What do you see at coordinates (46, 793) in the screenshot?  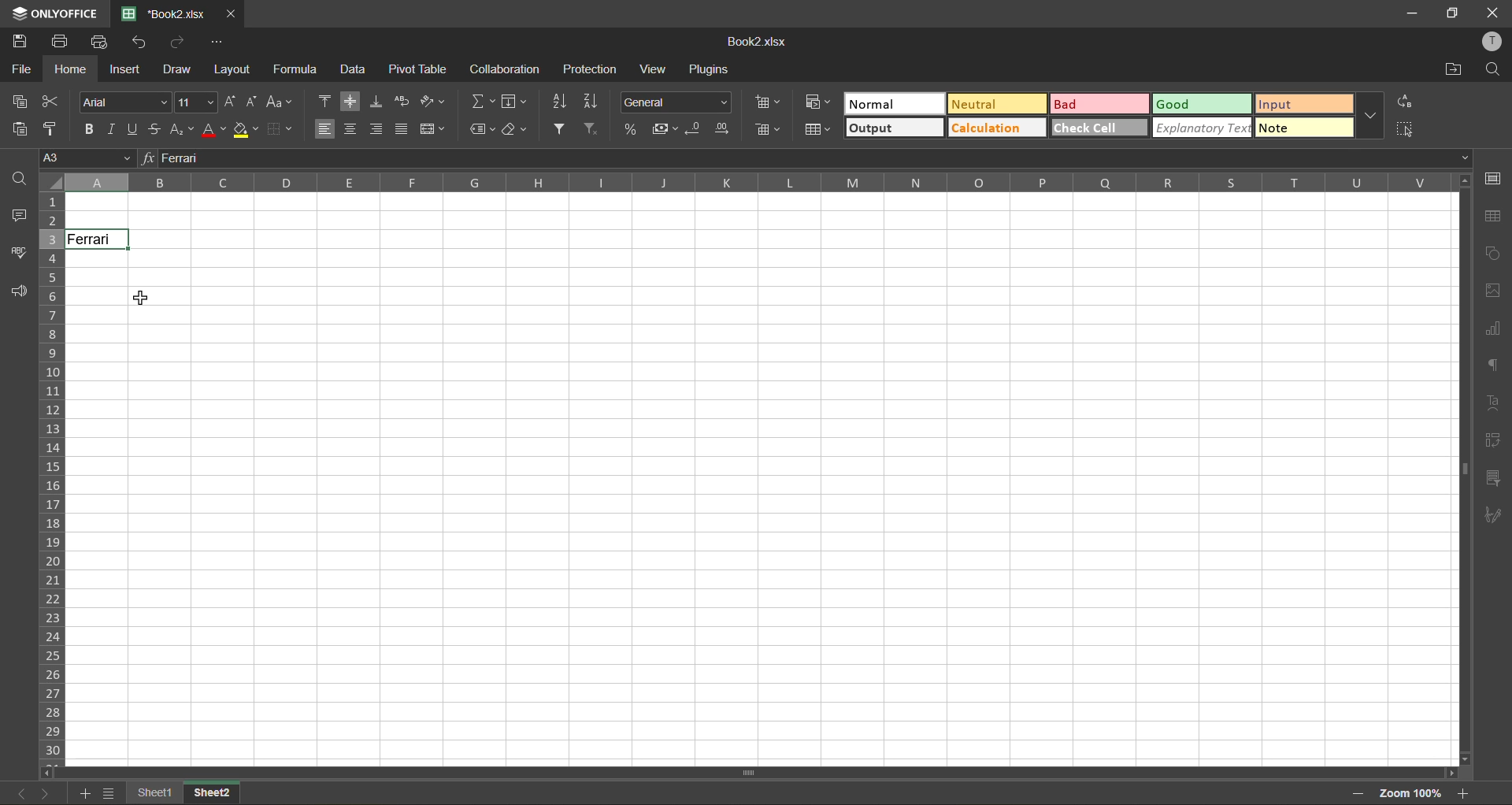 I see `next` at bounding box center [46, 793].